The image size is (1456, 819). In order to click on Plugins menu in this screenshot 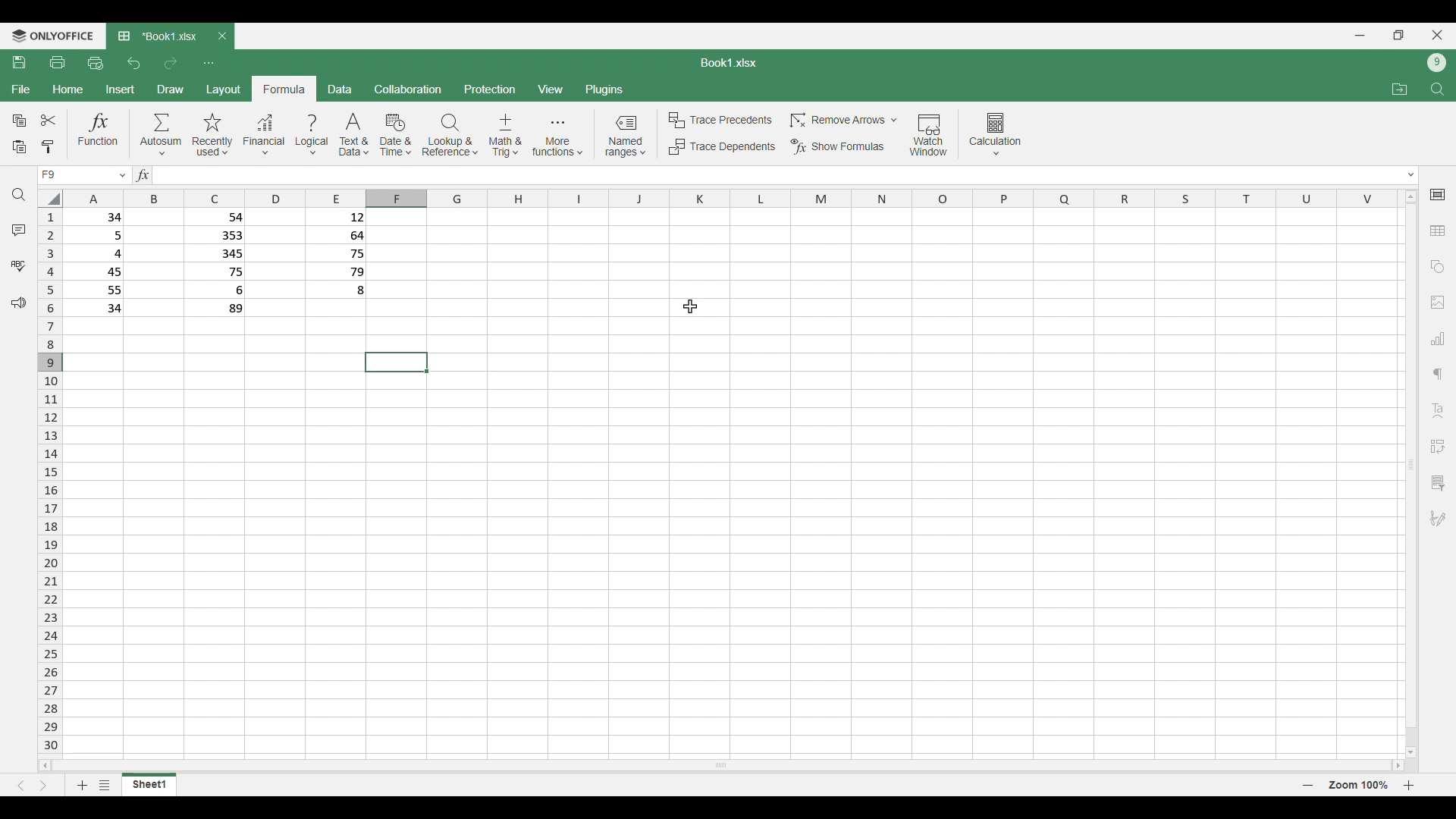, I will do `click(604, 89)`.